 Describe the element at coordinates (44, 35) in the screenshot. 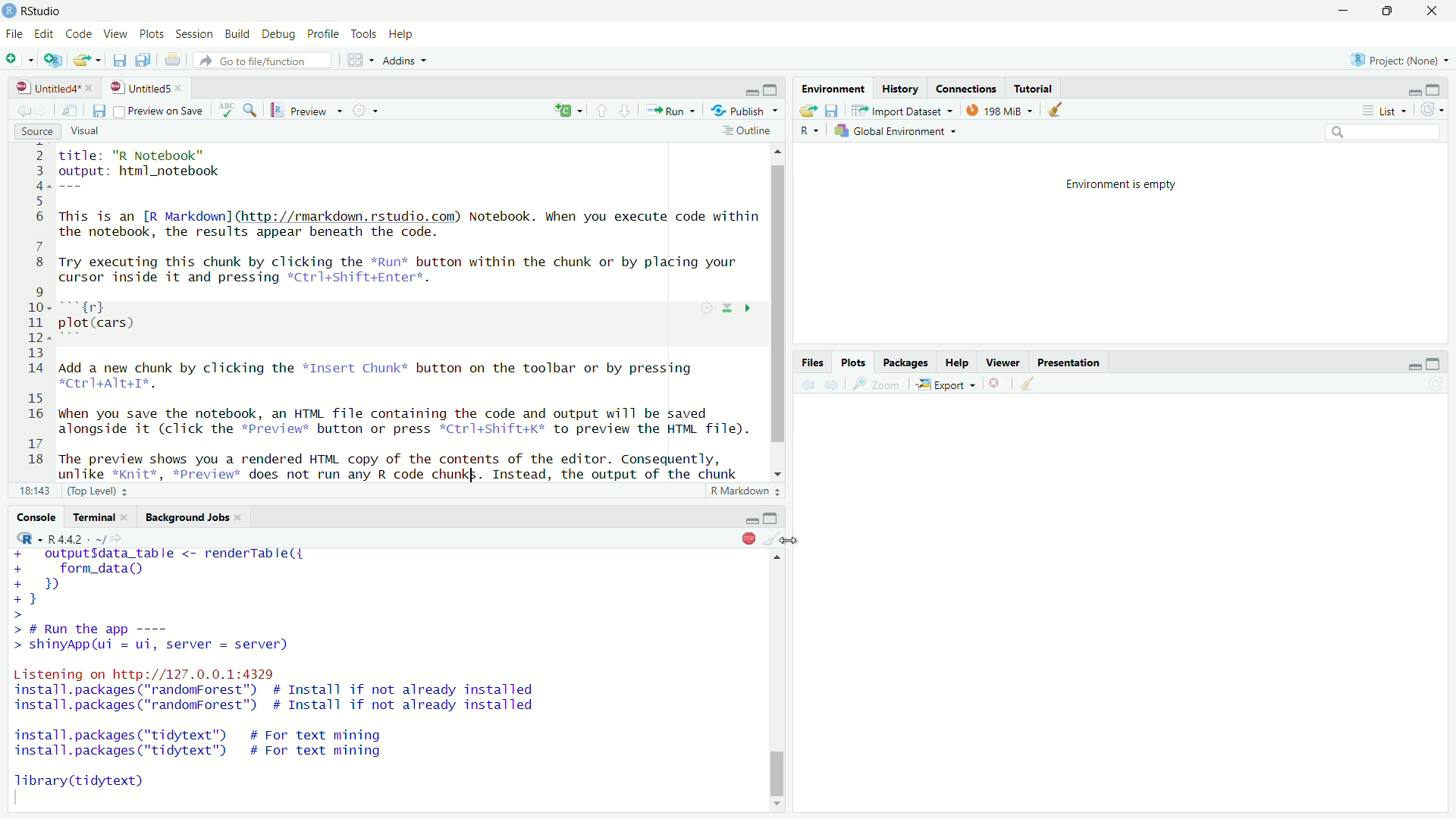

I see `Edit` at that location.